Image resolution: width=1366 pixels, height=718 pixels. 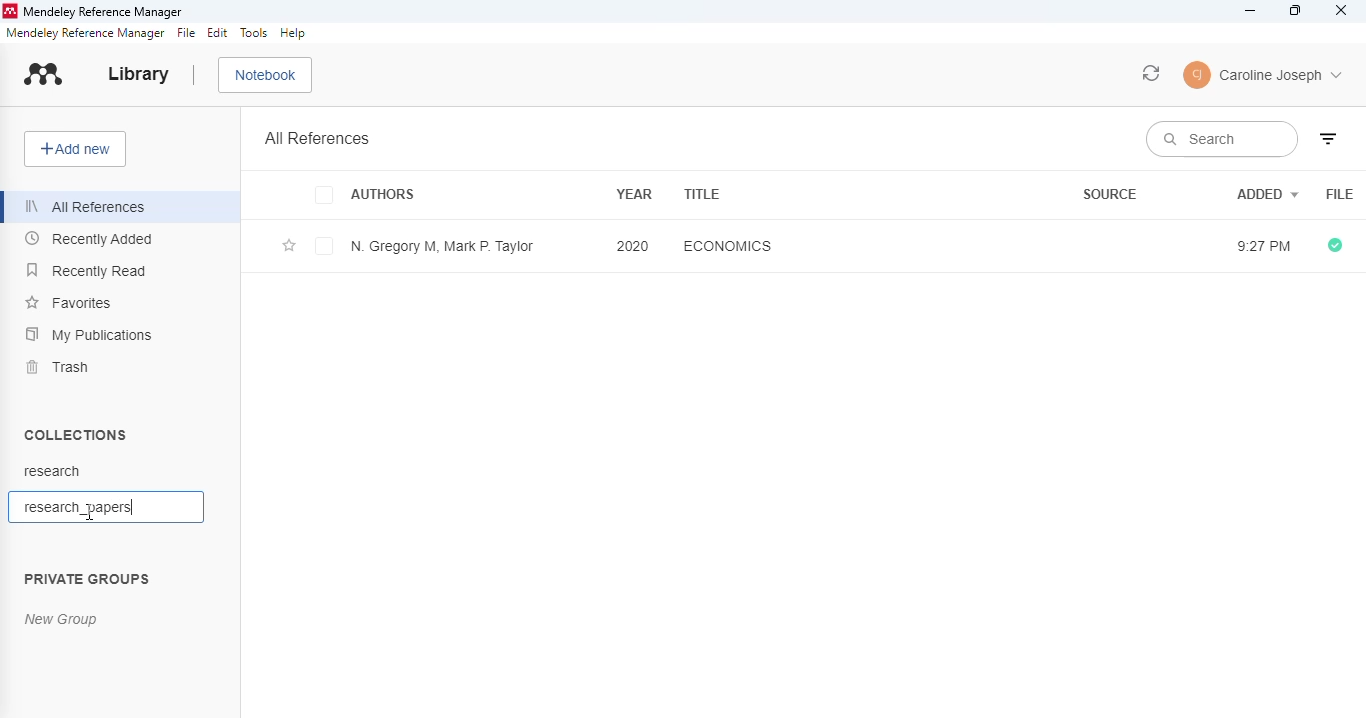 What do you see at coordinates (1198, 75) in the screenshot?
I see `user icon` at bounding box center [1198, 75].